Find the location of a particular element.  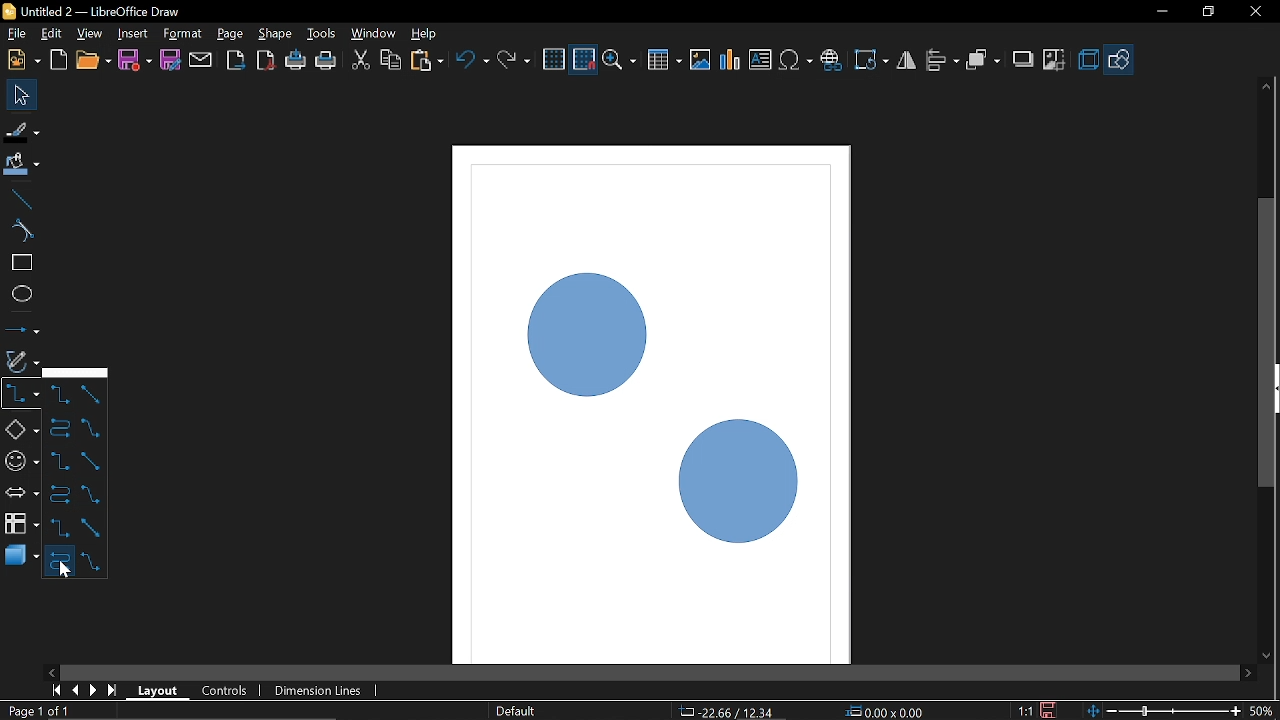

Filp is located at coordinates (907, 63).